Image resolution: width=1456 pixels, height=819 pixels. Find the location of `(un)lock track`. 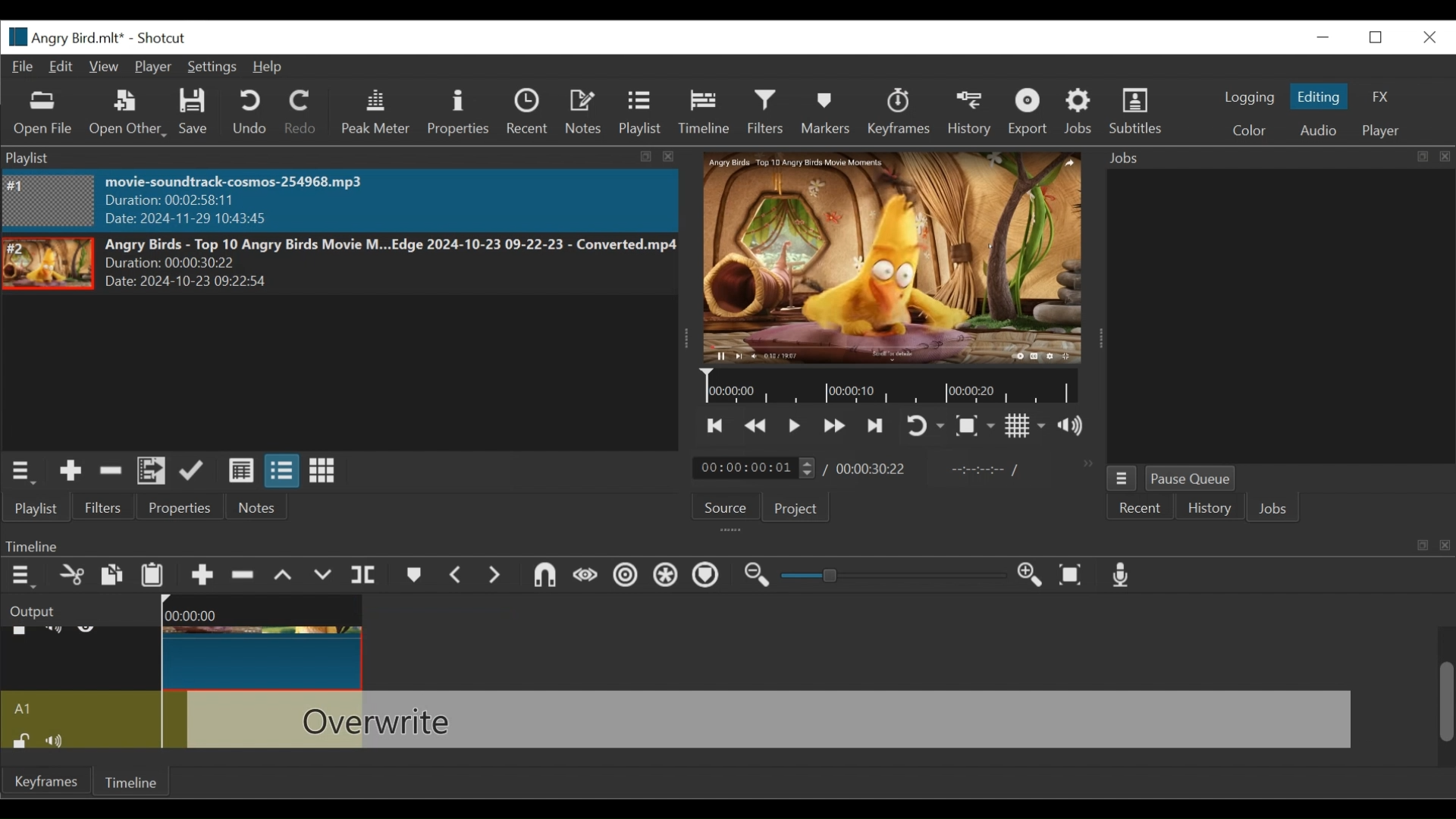

(un)lock track is located at coordinates (20, 739).